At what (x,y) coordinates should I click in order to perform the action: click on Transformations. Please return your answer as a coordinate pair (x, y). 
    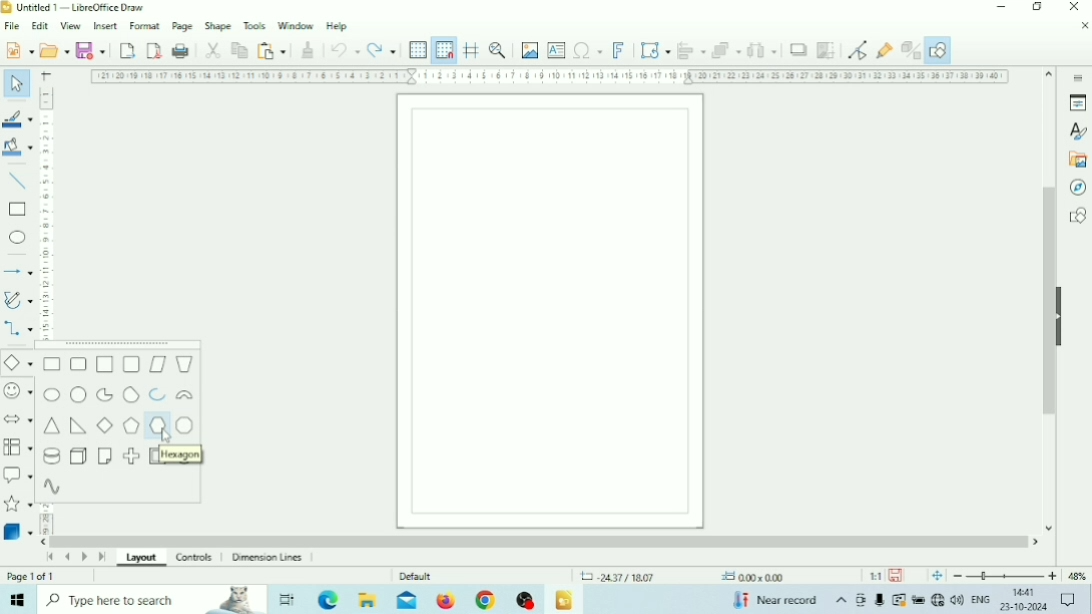
    Looking at the image, I should click on (654, 49).